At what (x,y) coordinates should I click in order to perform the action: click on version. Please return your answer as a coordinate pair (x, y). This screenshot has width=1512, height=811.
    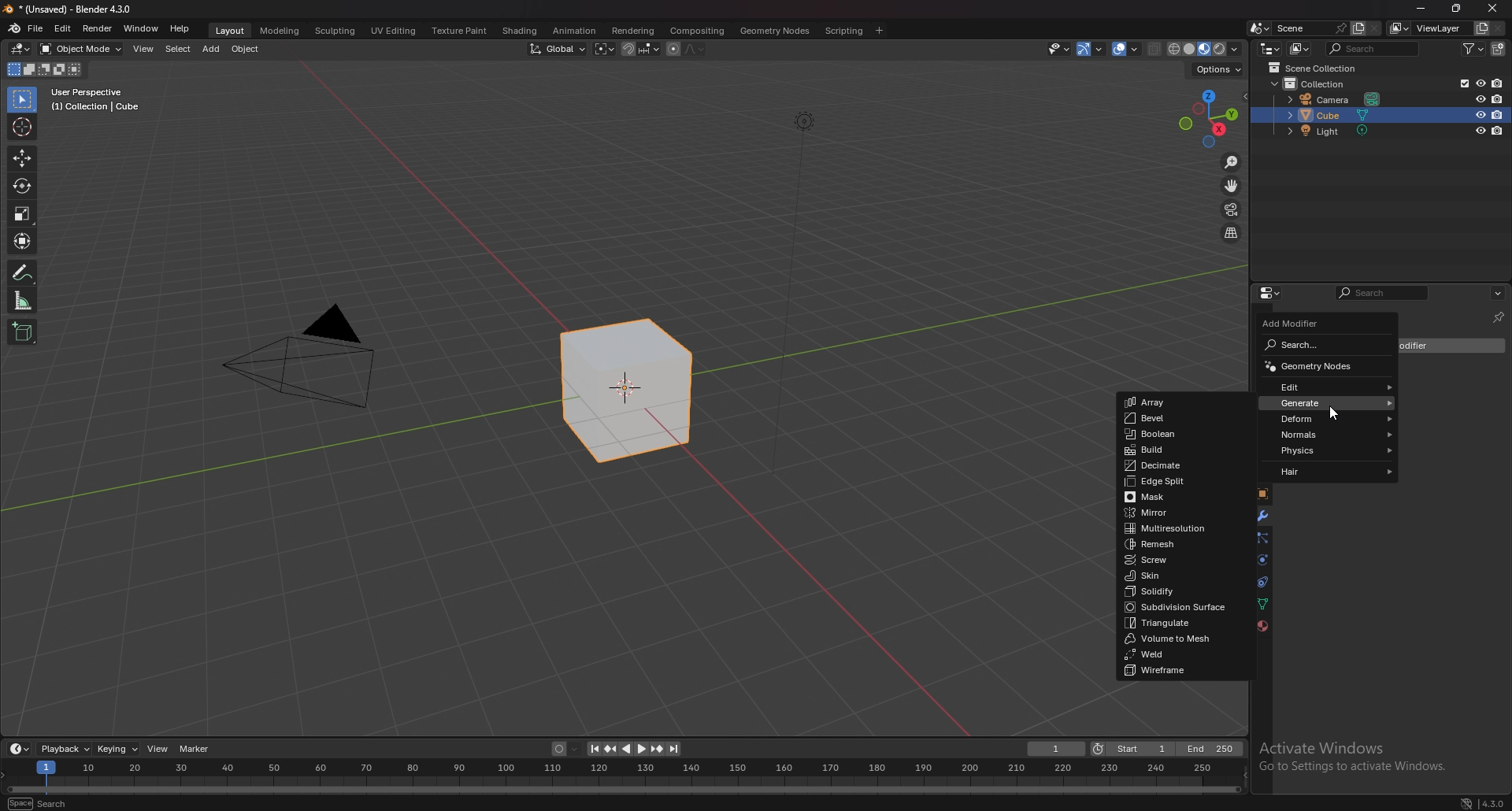
    Looking at the image, I should click on (1493, 803).